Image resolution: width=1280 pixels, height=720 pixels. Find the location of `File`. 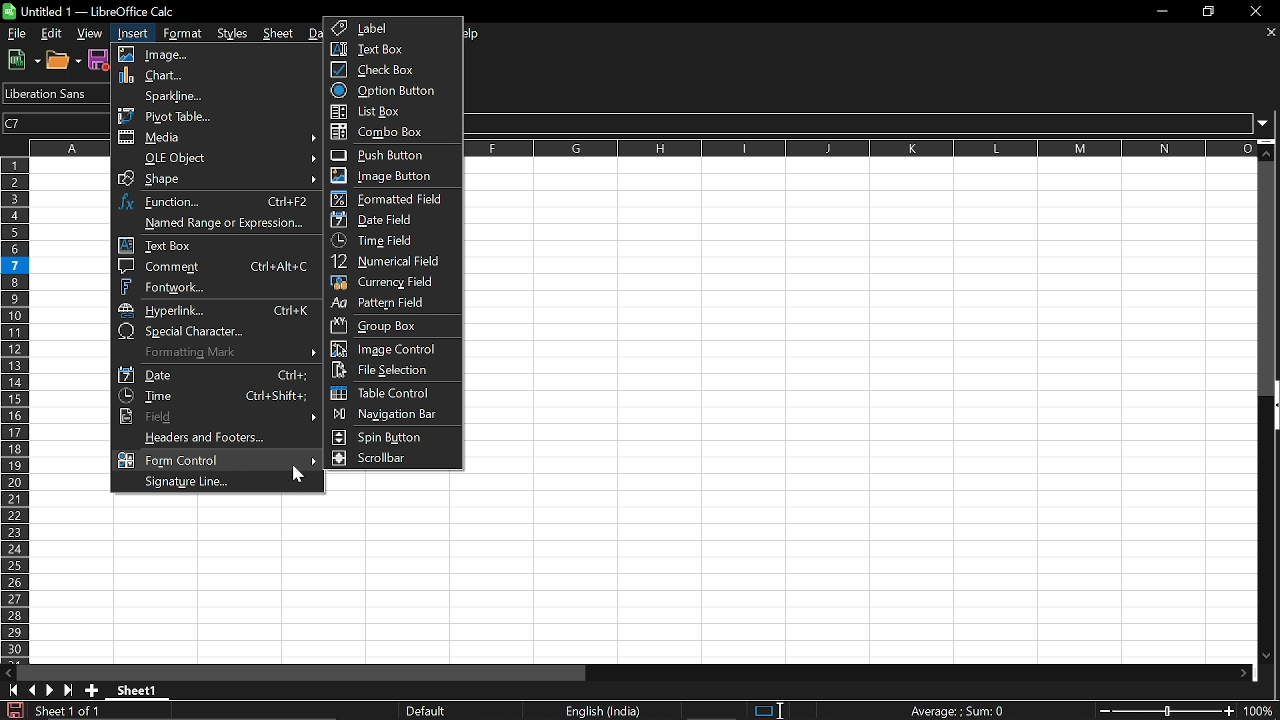

File is located at coordinates (16, 33).